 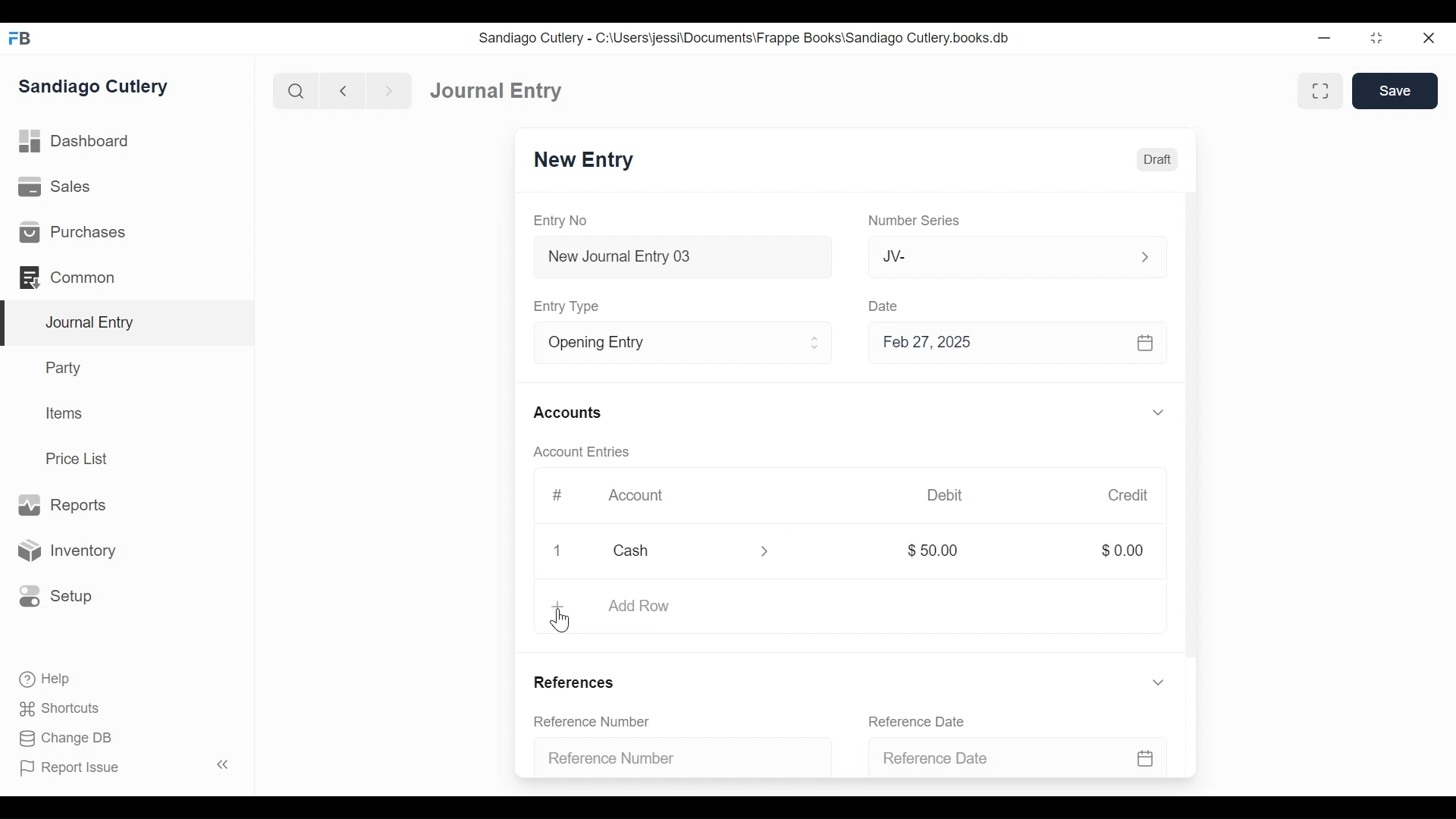 I want to click on $0.00, so click(x=1122, y=550).